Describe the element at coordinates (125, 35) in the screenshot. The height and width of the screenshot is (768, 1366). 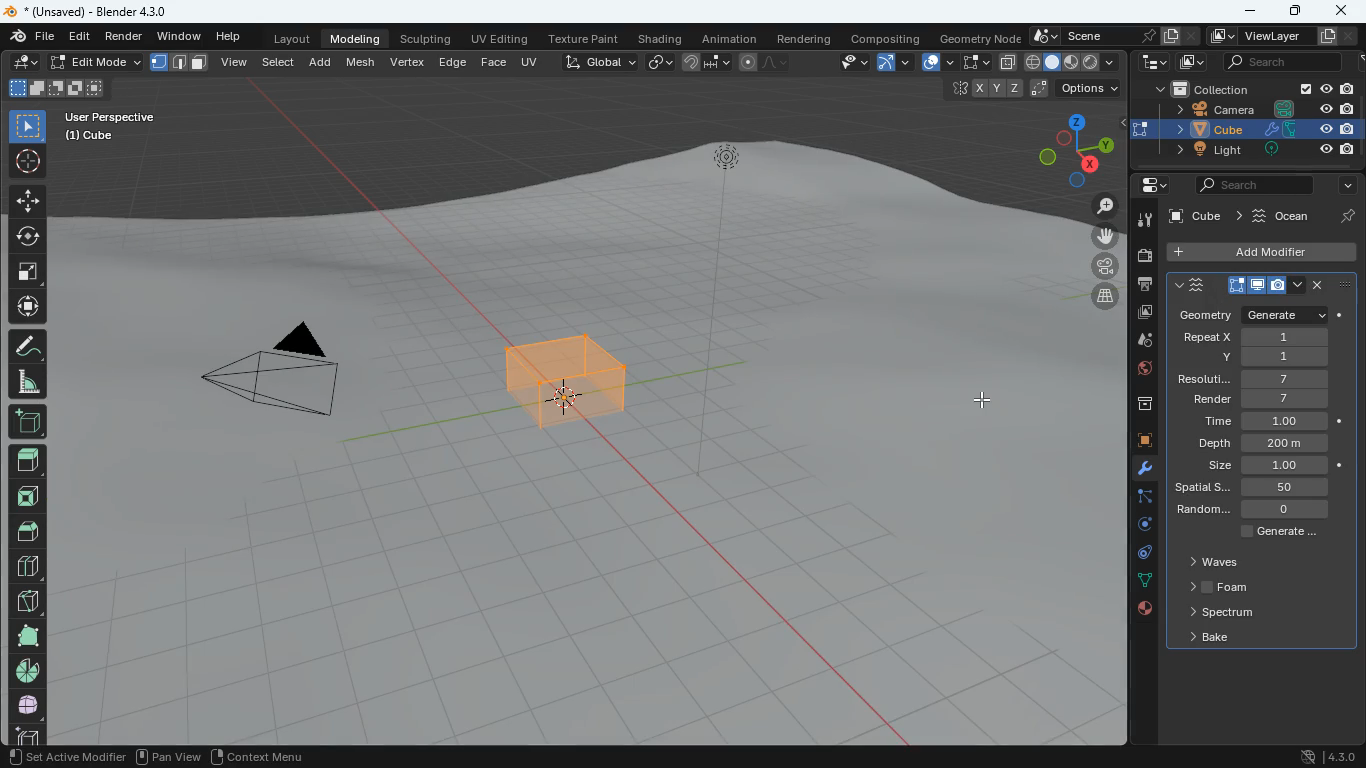
I see `render` at that location.